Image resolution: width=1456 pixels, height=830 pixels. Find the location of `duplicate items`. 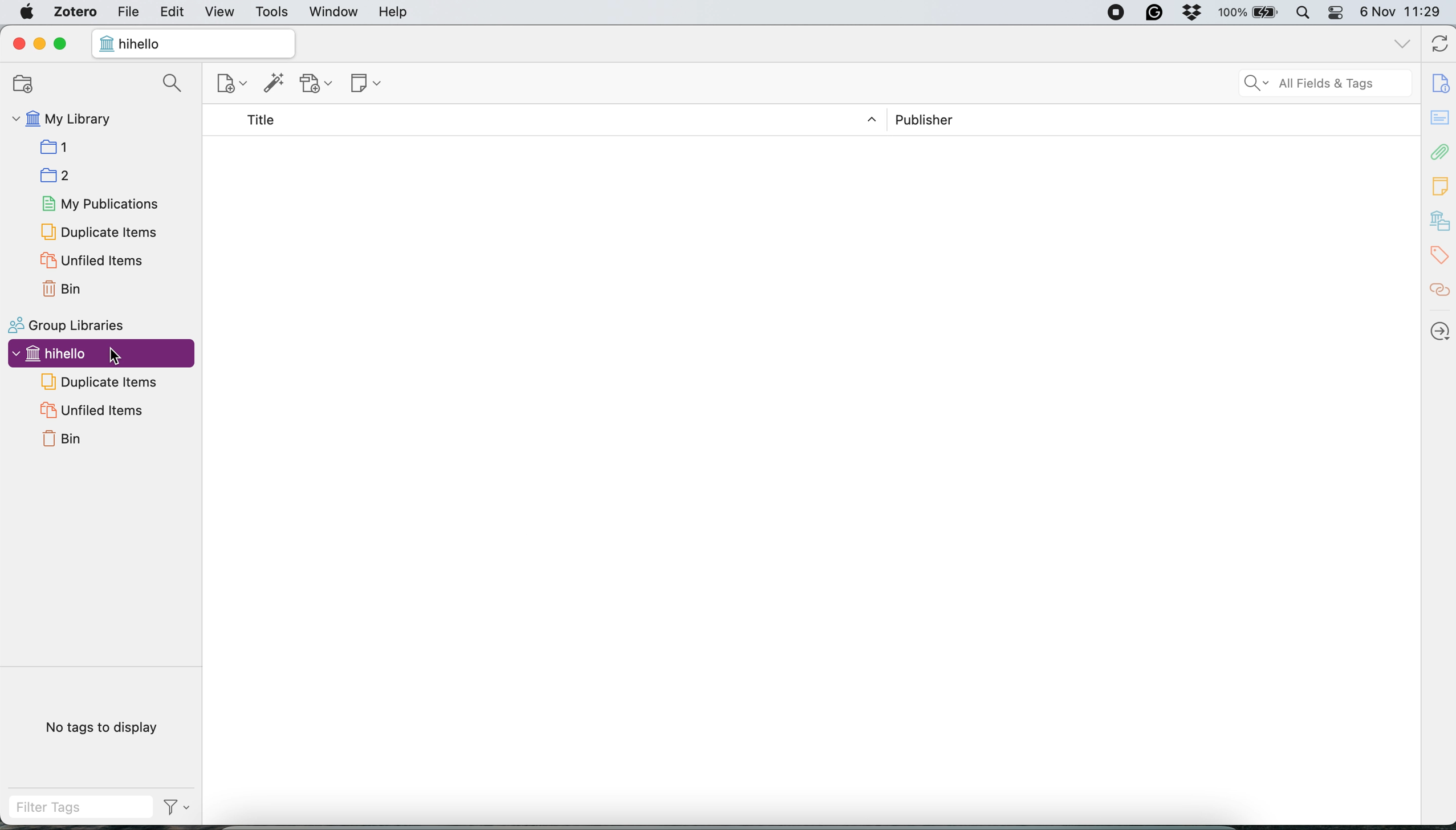

duplicate items is located at coordinates (104, 385).